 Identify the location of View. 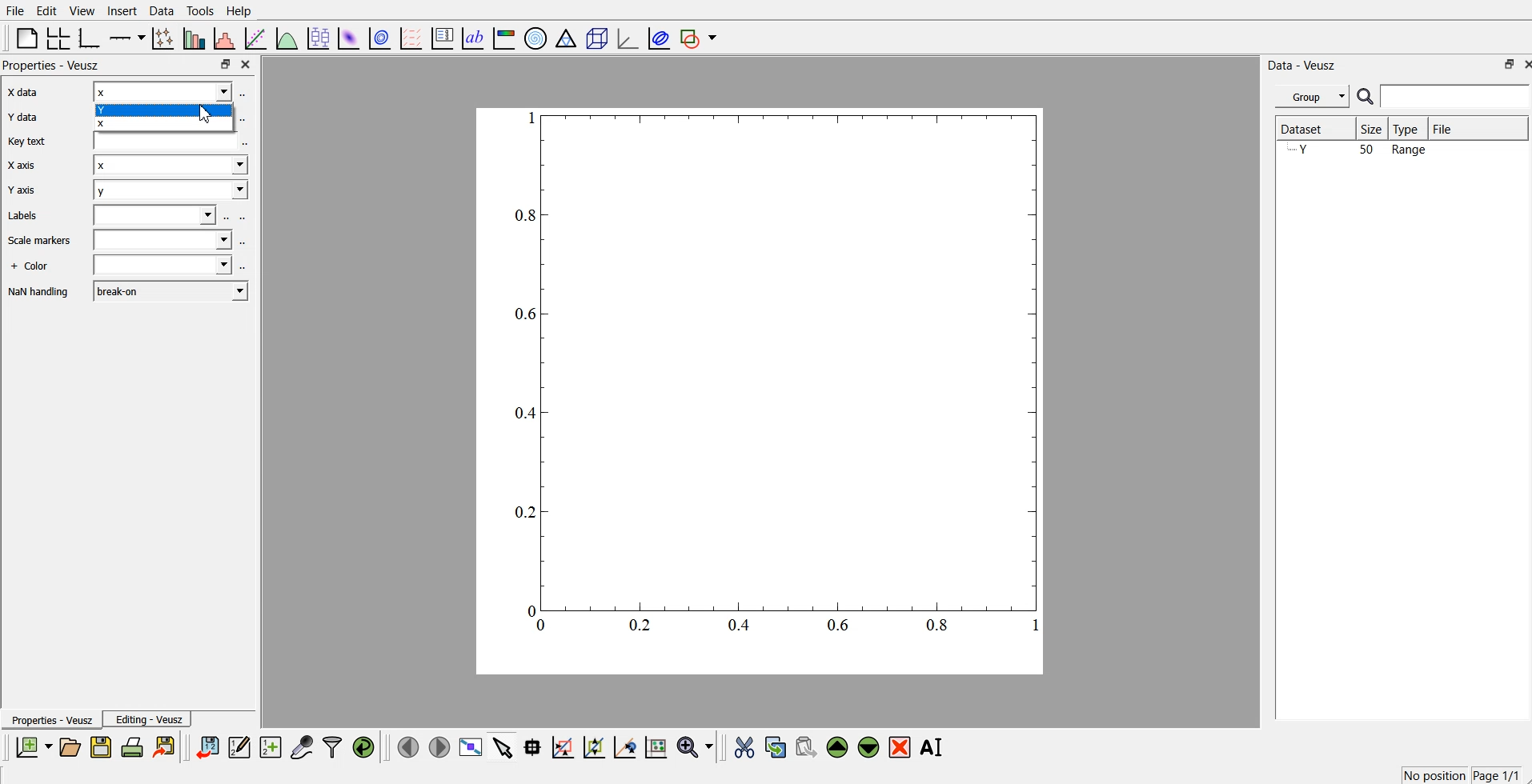
(82, 10).